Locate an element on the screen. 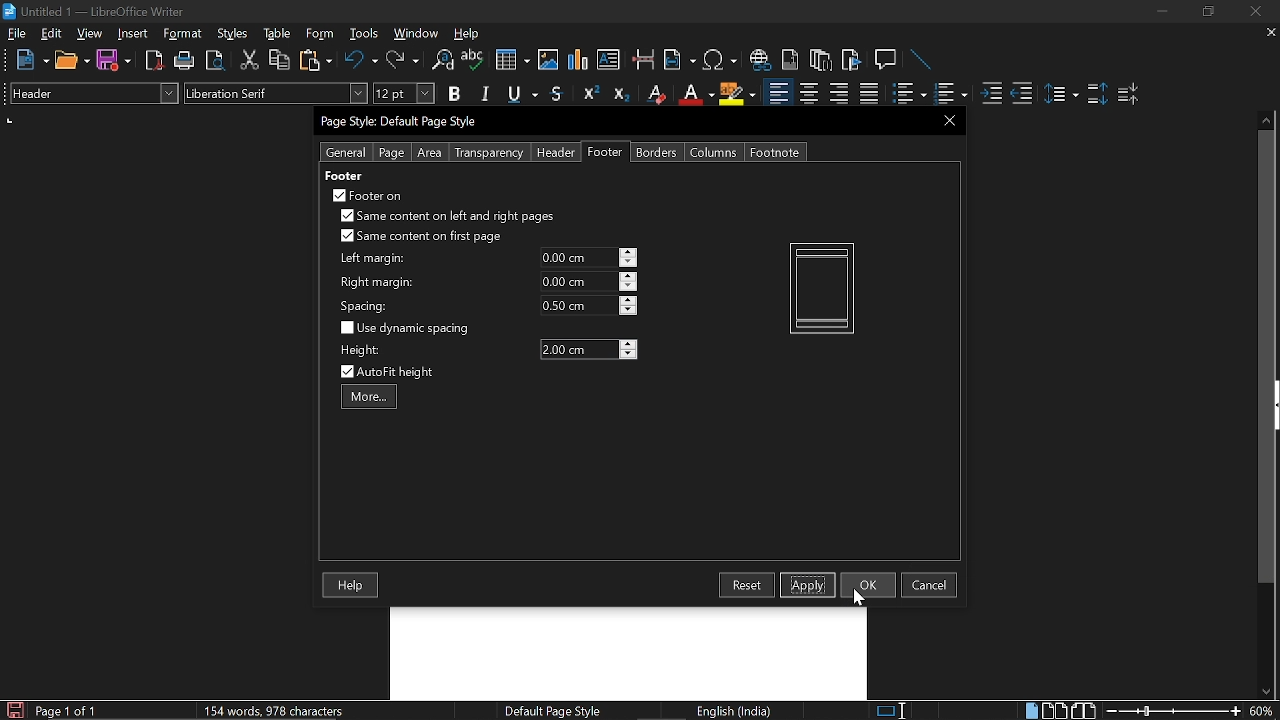 This screenshot has width=1280, height=720. left margin is located at coordinates (370, 259).